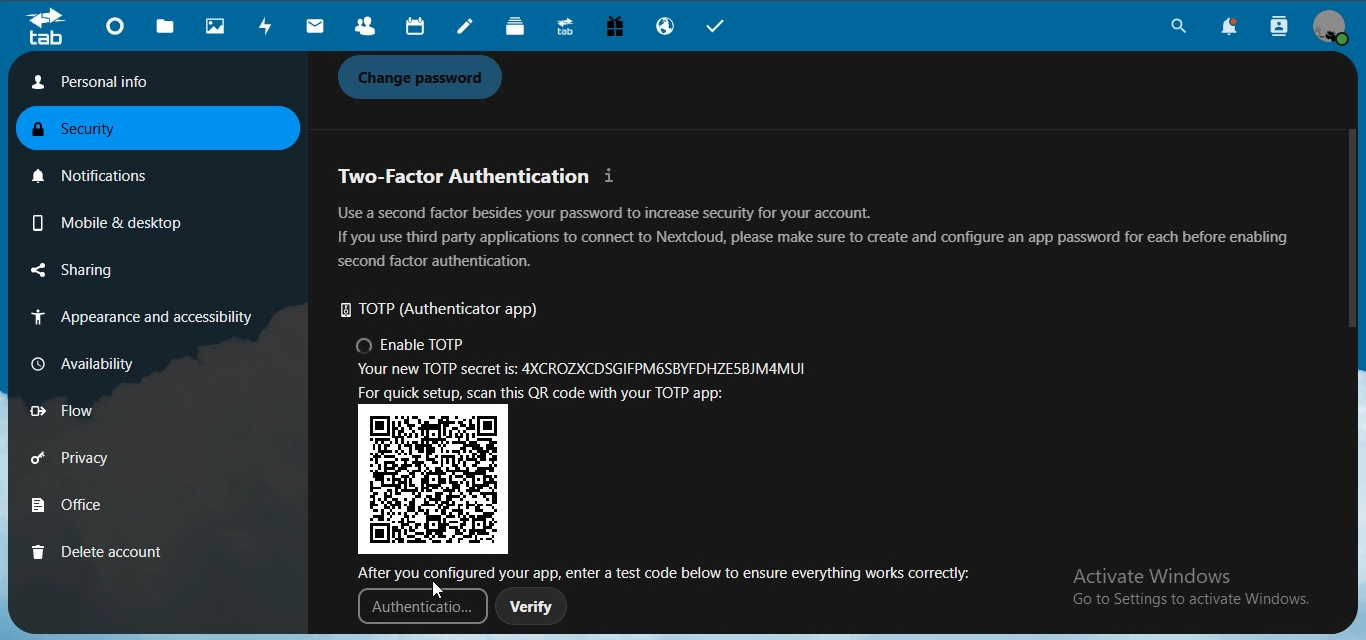  Describe the element at coordinates (520, 28) in the screenshot. I see `deck` at that location.